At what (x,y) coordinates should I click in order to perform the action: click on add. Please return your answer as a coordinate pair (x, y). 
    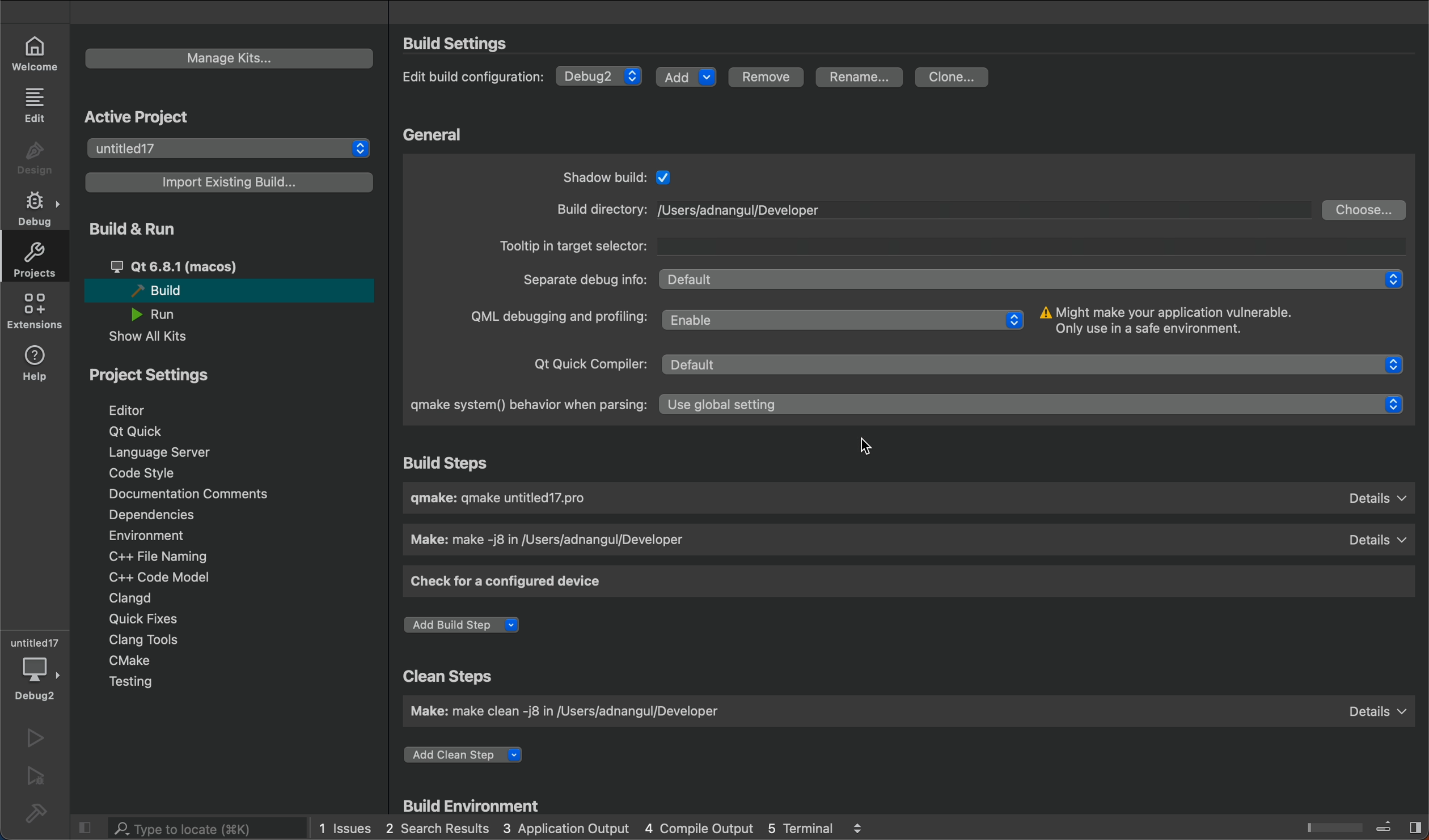
    Looking at the image, I should click on (686, 79).